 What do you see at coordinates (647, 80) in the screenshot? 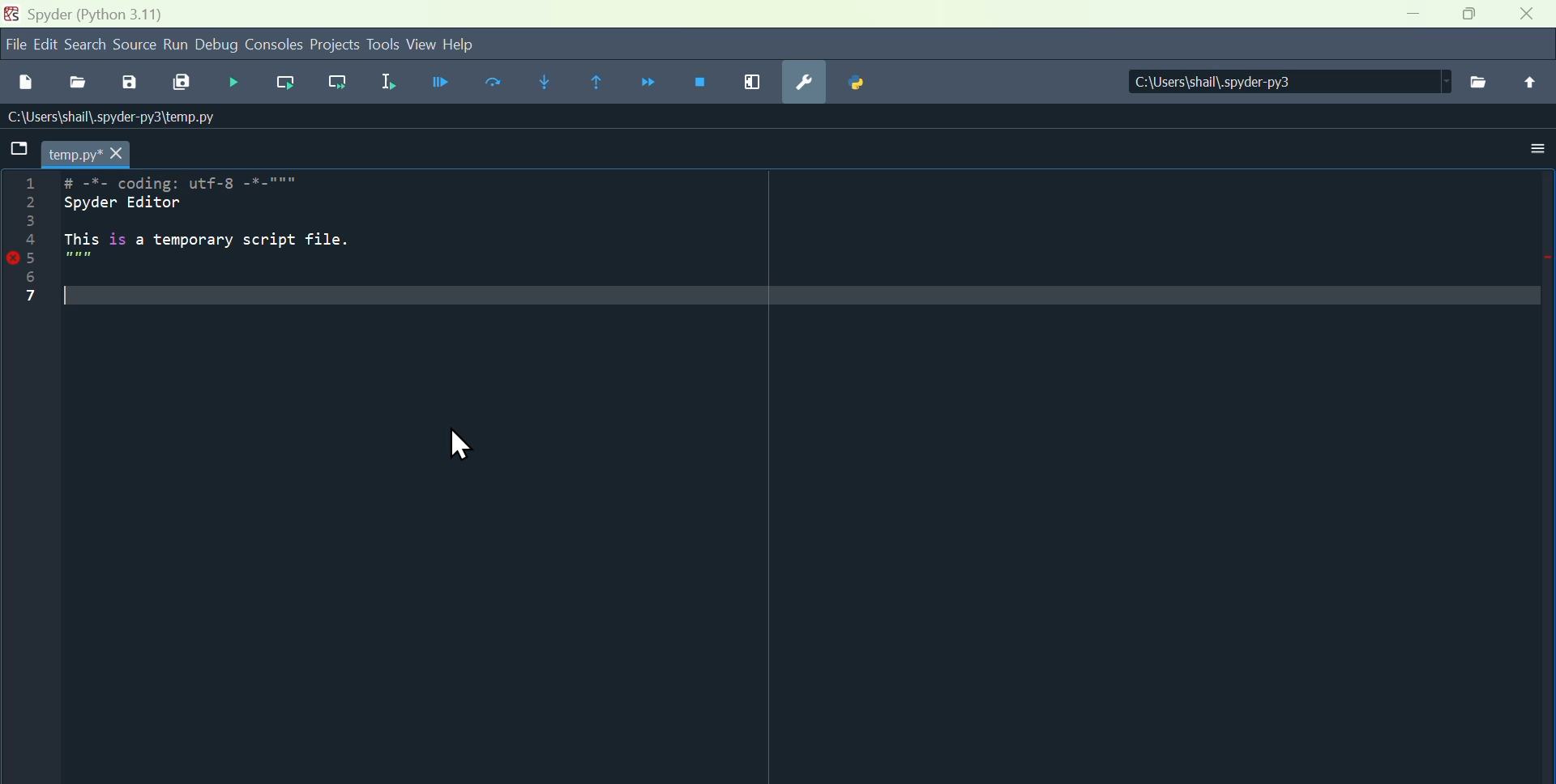
I see `Continue execution until next function` at bounding box center [647, 80].